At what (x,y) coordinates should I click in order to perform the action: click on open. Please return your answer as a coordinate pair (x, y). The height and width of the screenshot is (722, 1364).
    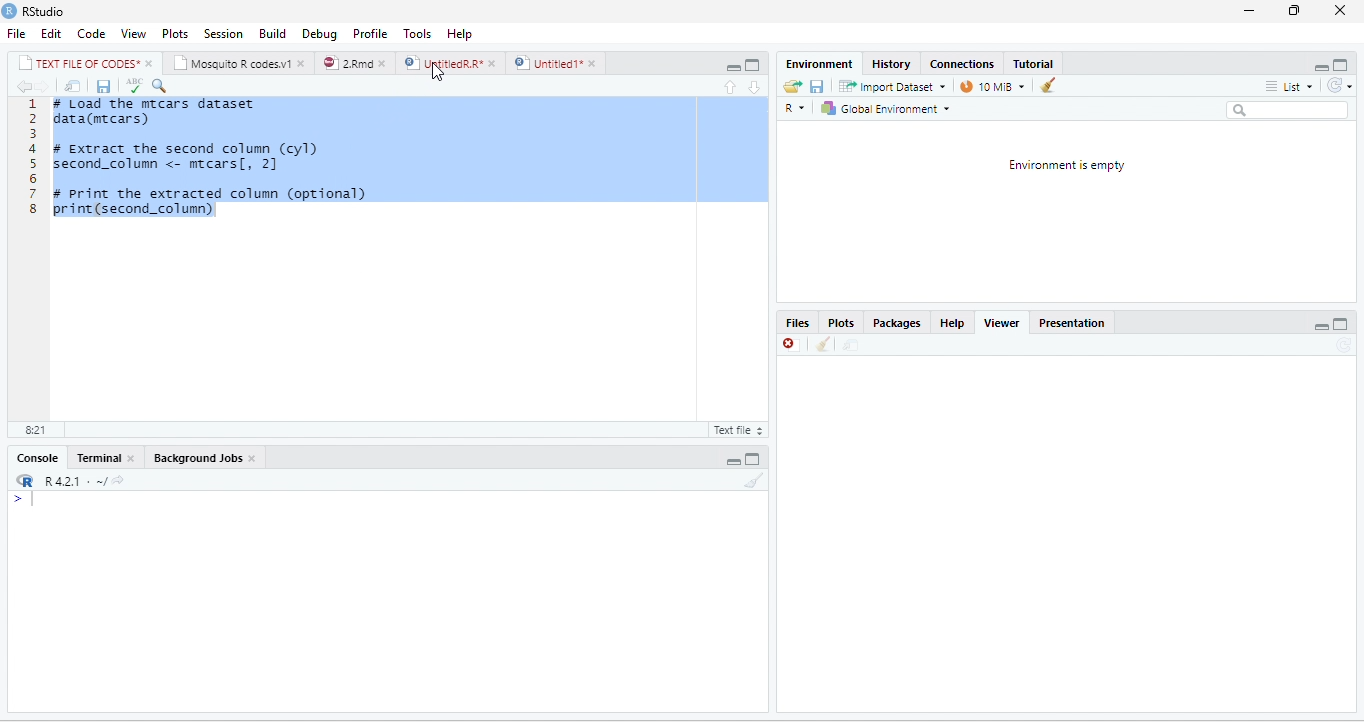
    Looking at the image, I should click on (789, 87).